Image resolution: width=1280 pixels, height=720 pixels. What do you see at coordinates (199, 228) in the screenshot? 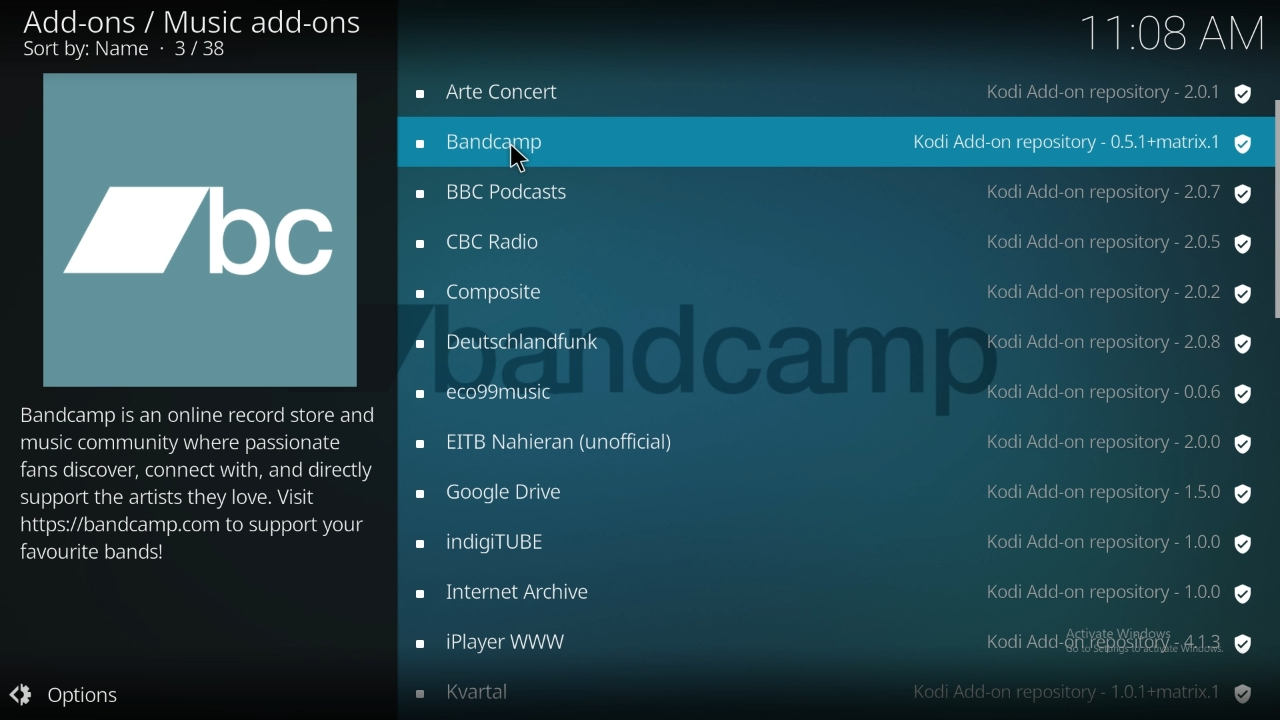
I see `add on photo` at bounding box center [199, 228].